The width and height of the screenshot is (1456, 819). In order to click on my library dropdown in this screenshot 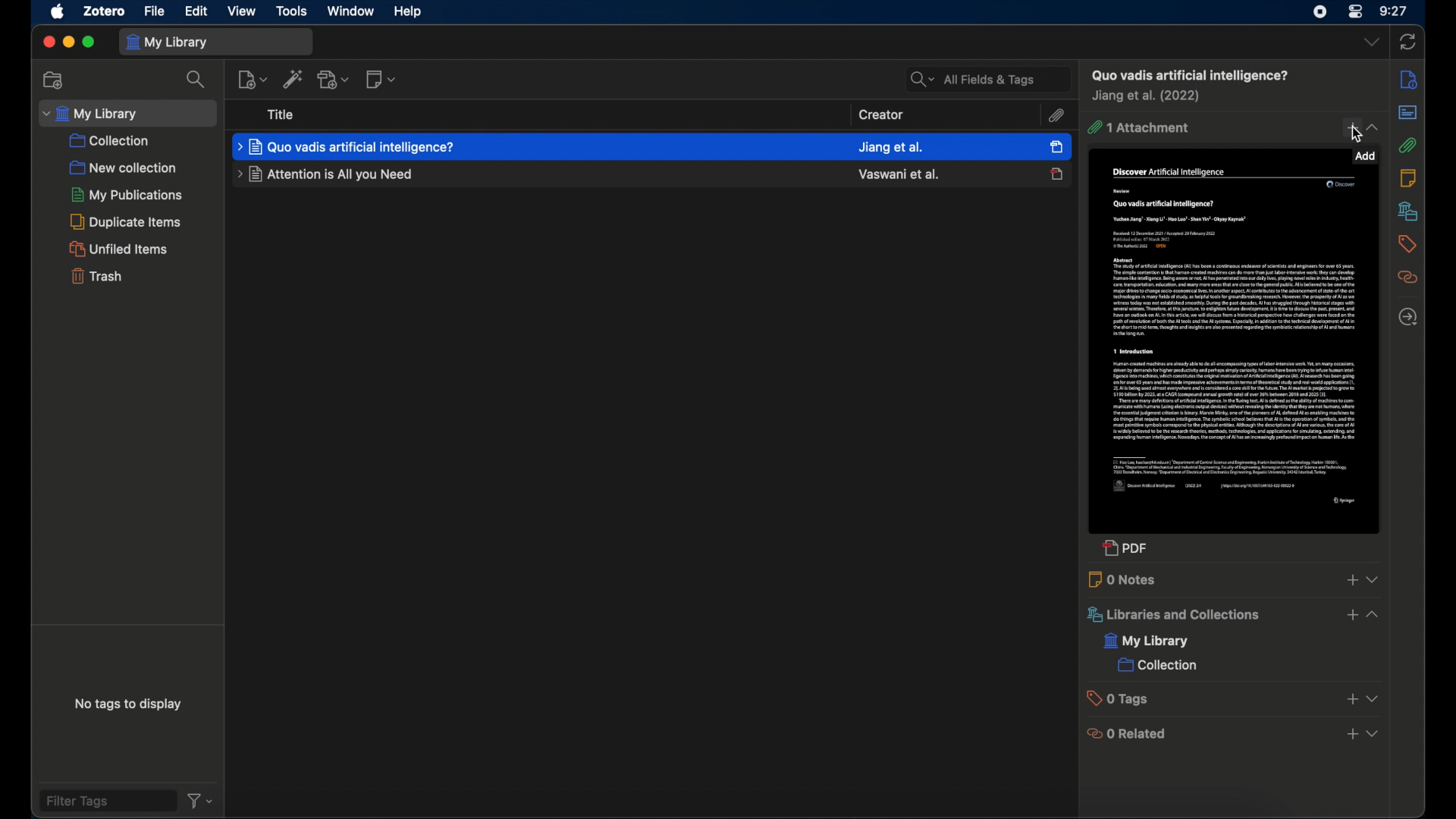, I will do `click(128, 113)`.